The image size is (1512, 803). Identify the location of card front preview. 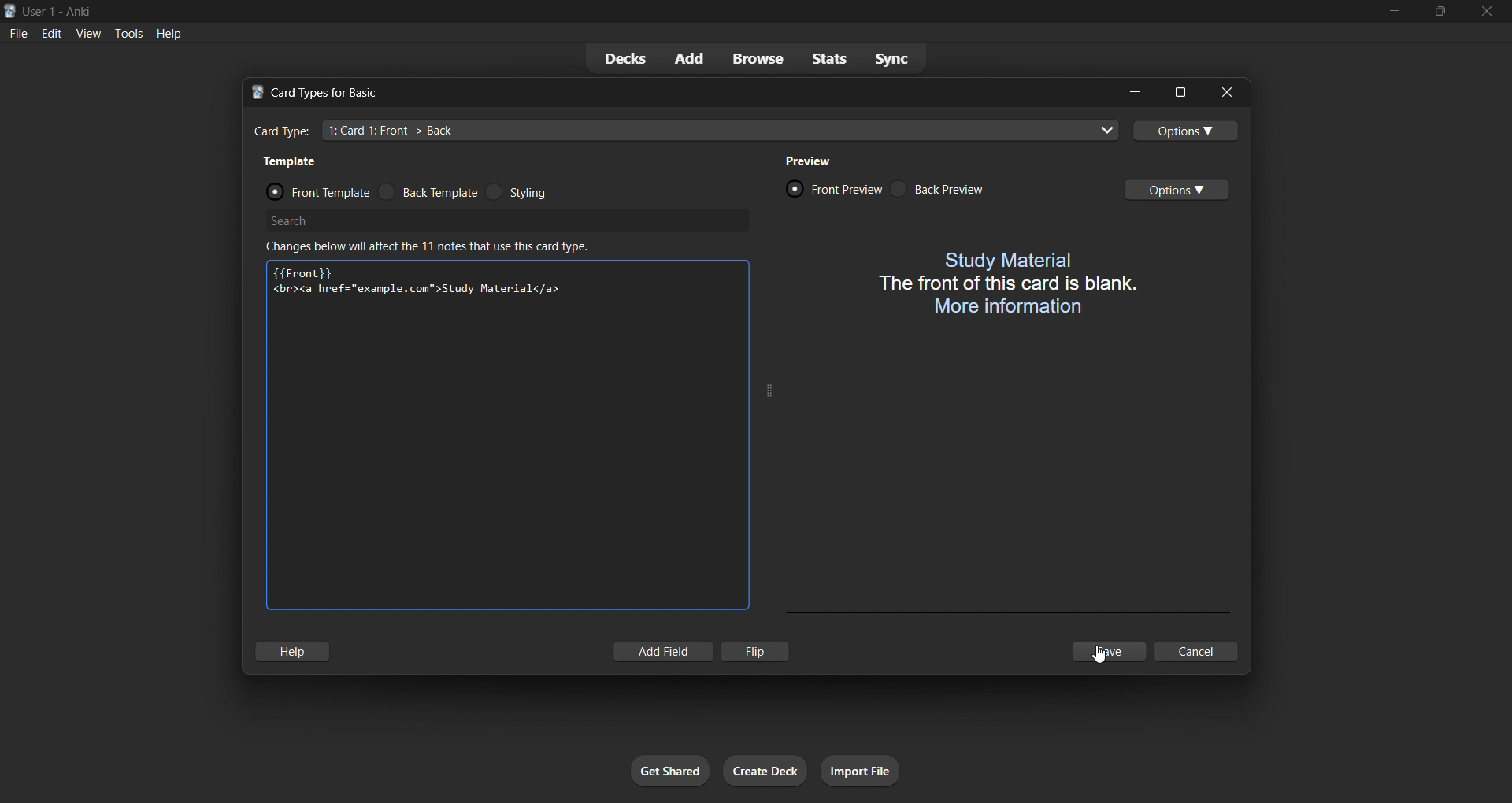
(1000, 279).